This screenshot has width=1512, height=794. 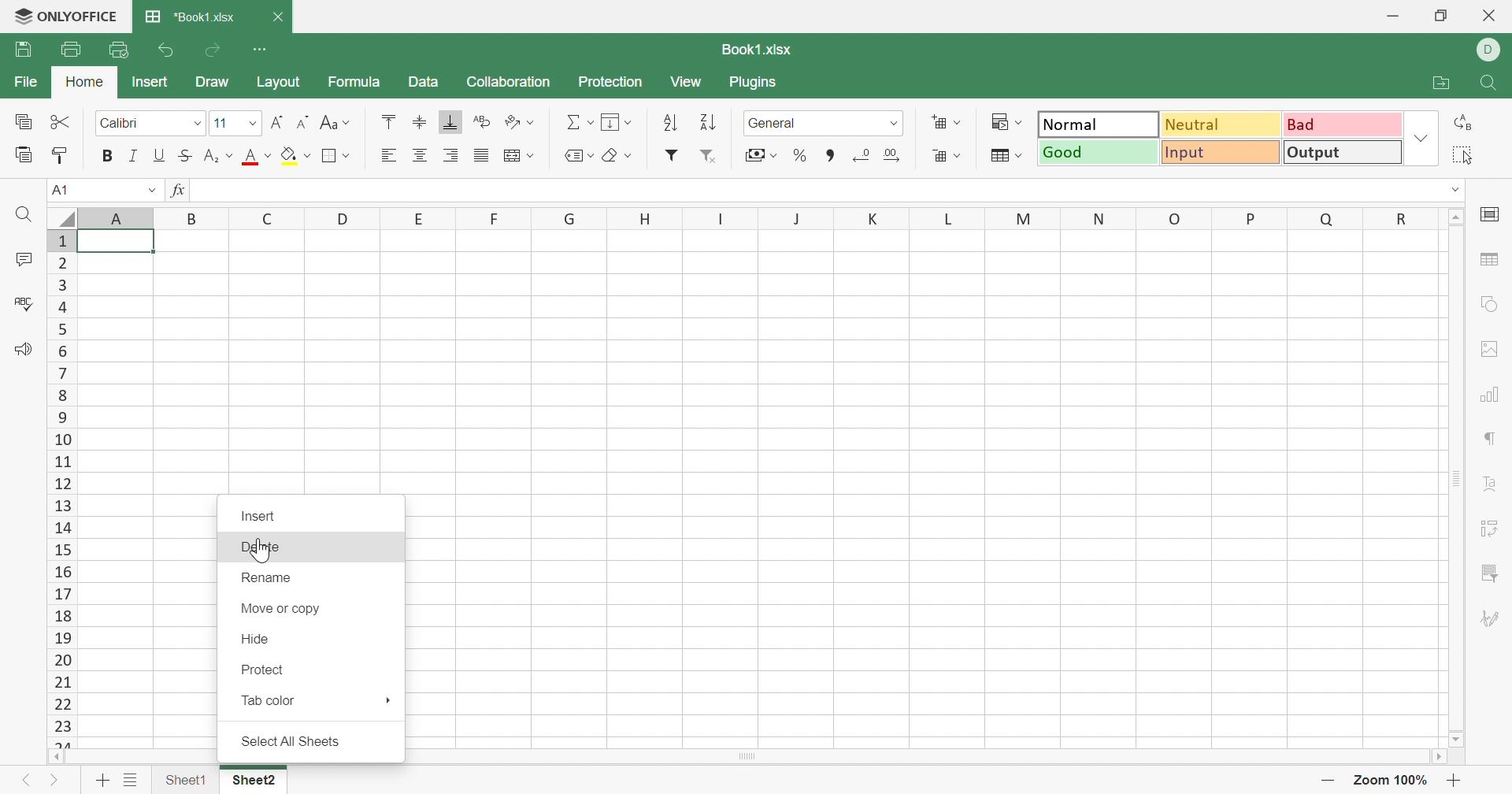 What do you see at coordinates (1488, 573) in the screenshot?
I see `Slicer settings` at bounding box center [1488, 573].